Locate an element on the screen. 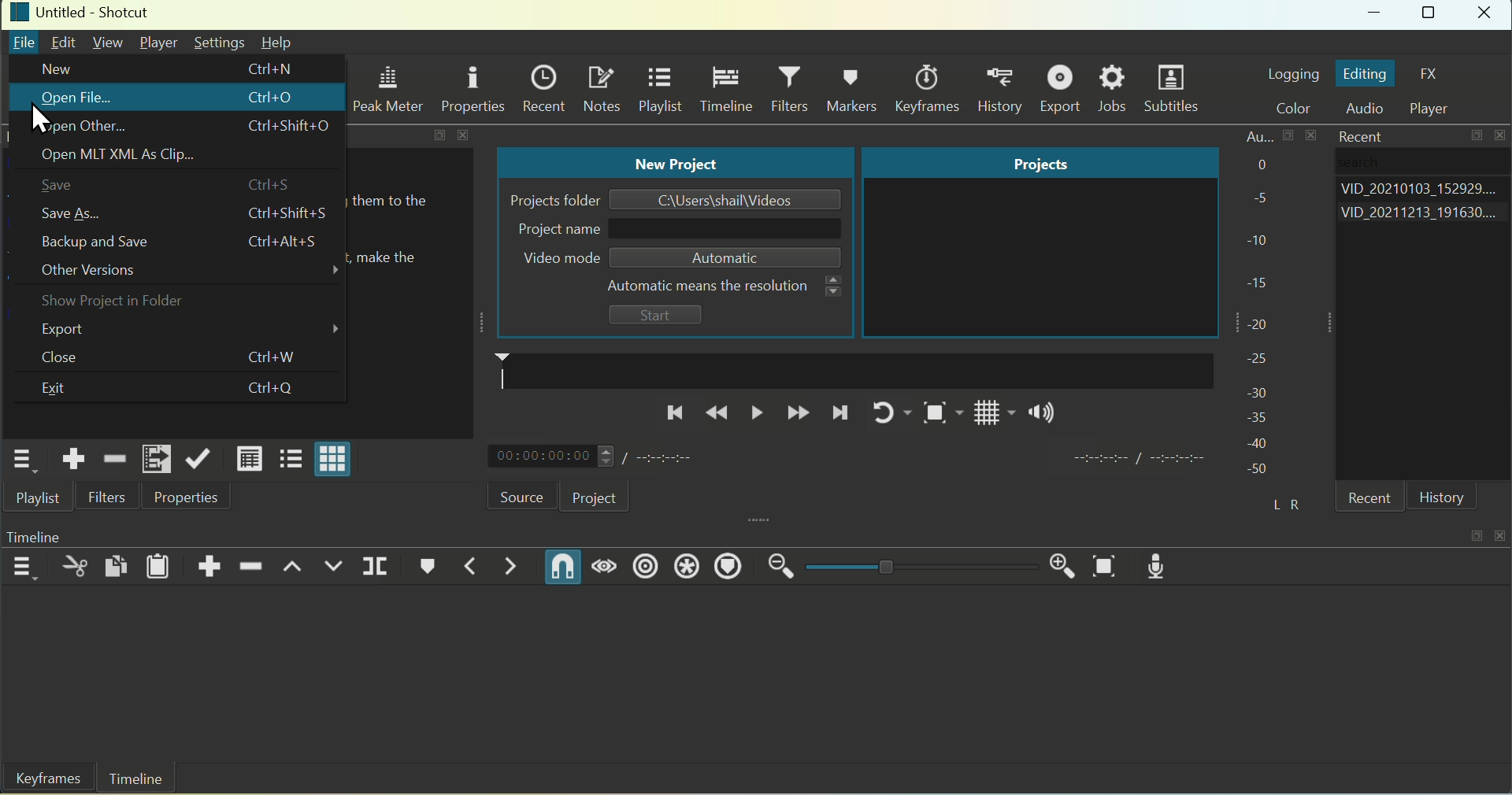 The width and height of the screenshot is (1512, 795). close is located at coordinates (467, 135).